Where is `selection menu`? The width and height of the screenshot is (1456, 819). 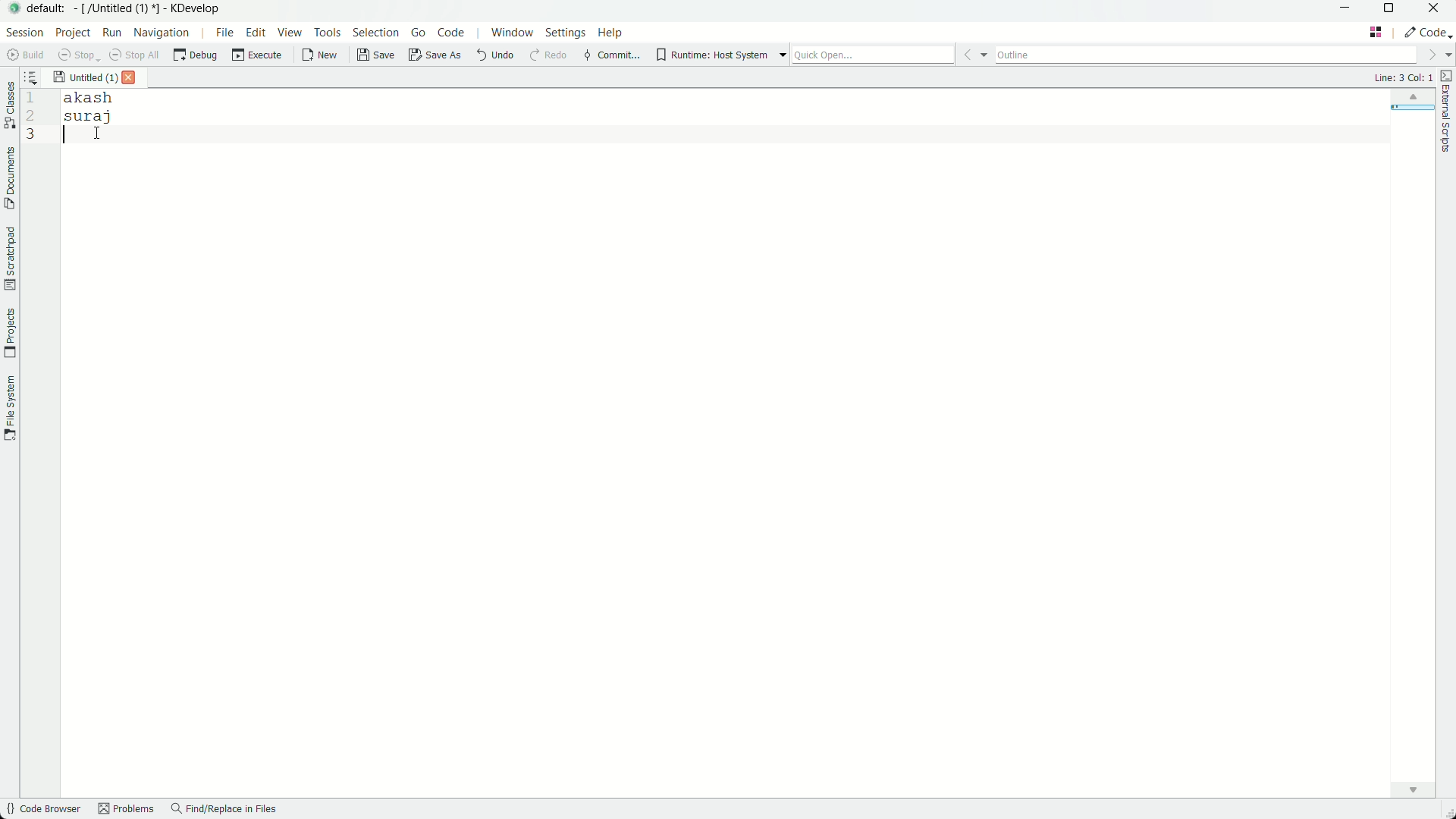 selection menu is located at coordinates (378, 34).